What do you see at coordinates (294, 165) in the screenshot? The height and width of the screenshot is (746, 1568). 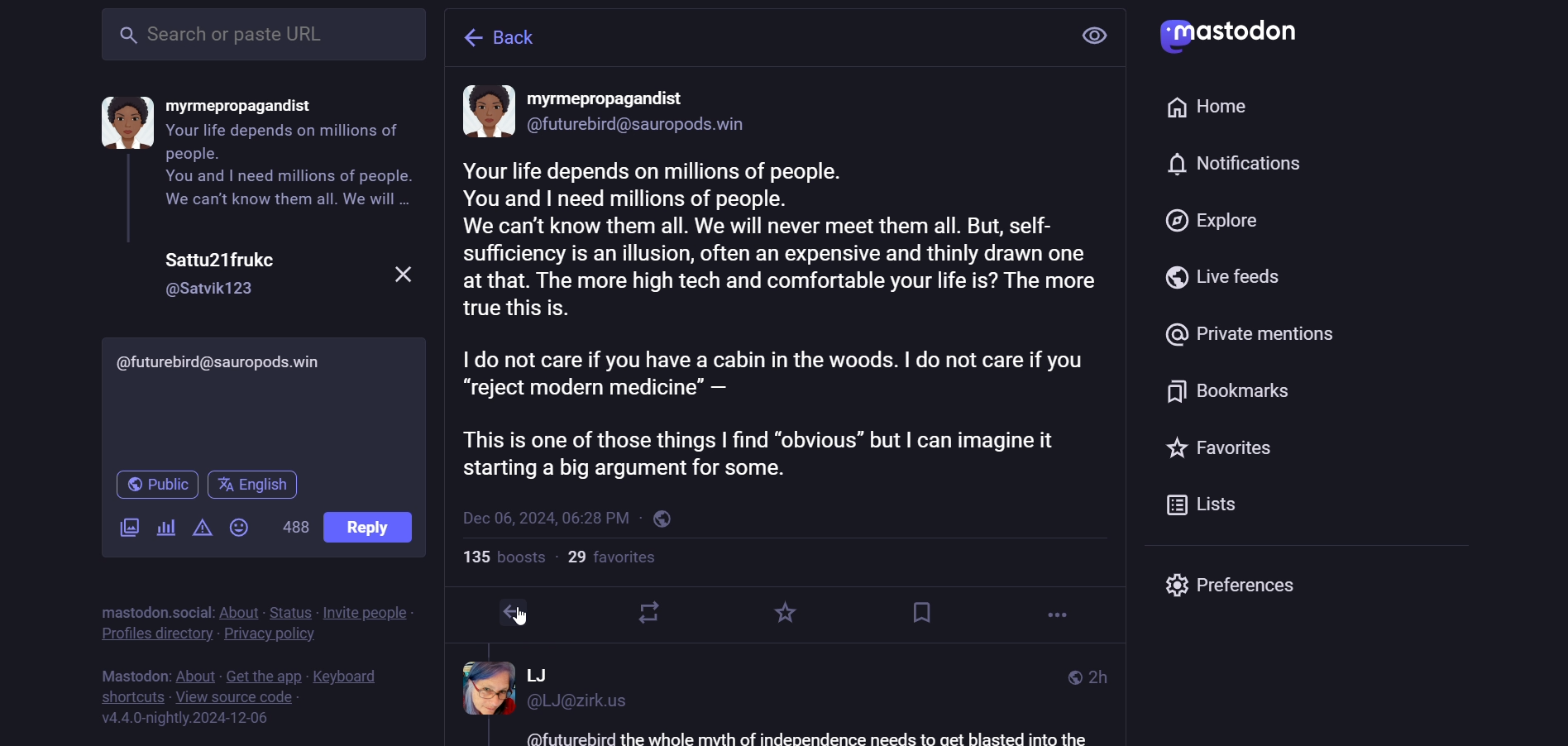 I see `content` at bounding box center [294, 165].